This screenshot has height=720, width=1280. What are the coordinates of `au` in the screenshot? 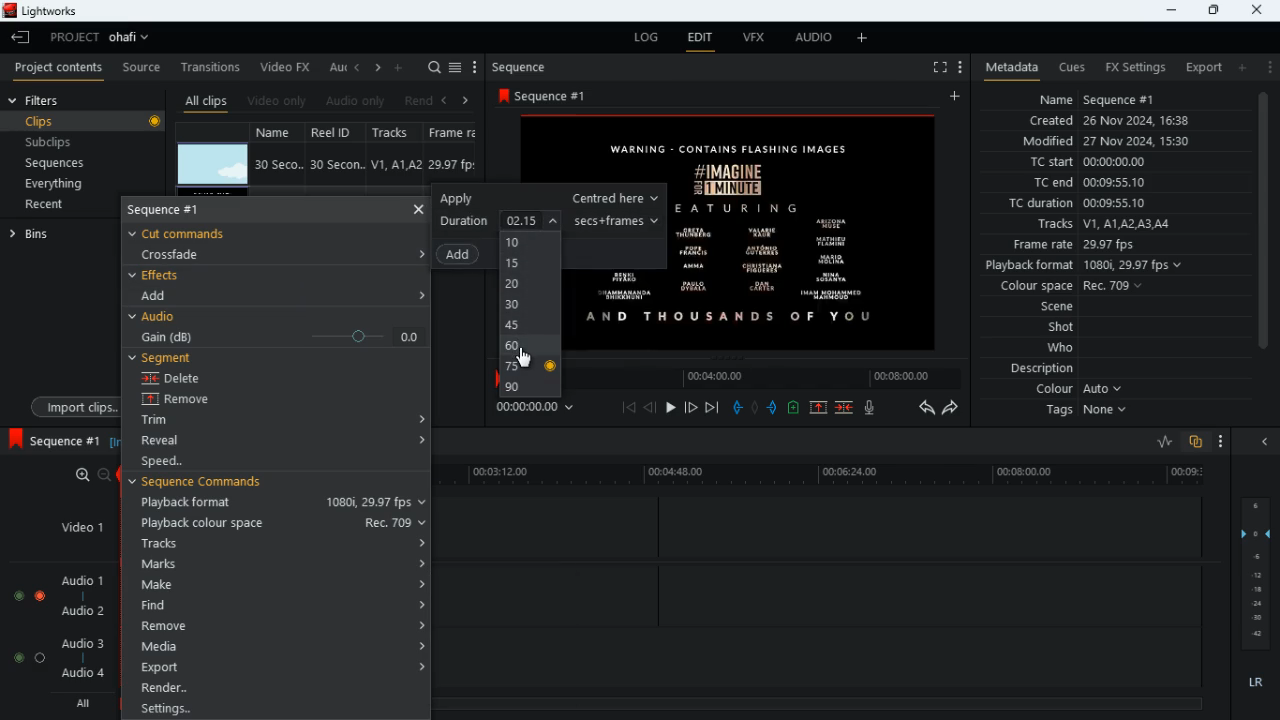 It's located at (336, 67).